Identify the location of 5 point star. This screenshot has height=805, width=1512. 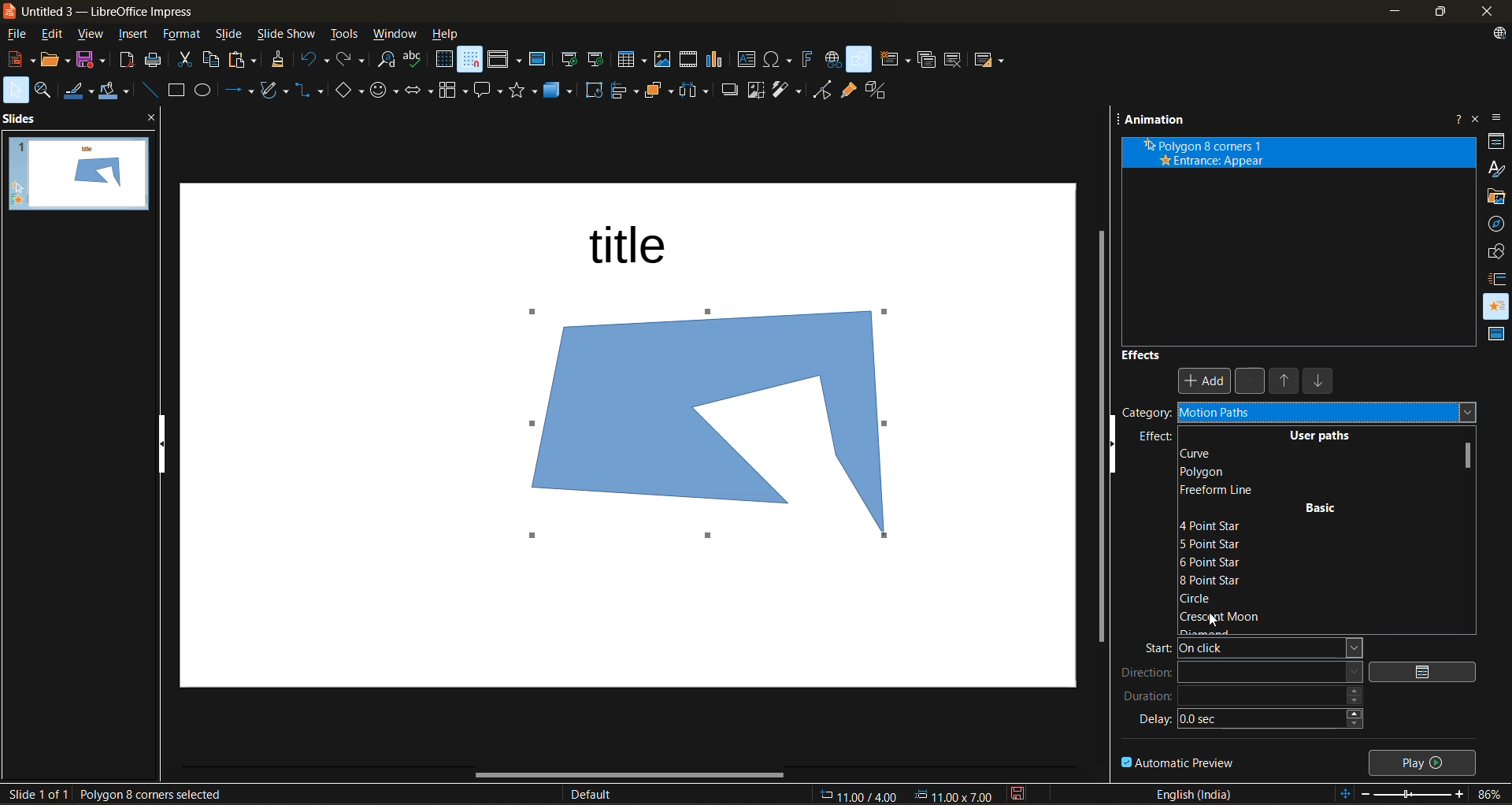
(1218, 544).